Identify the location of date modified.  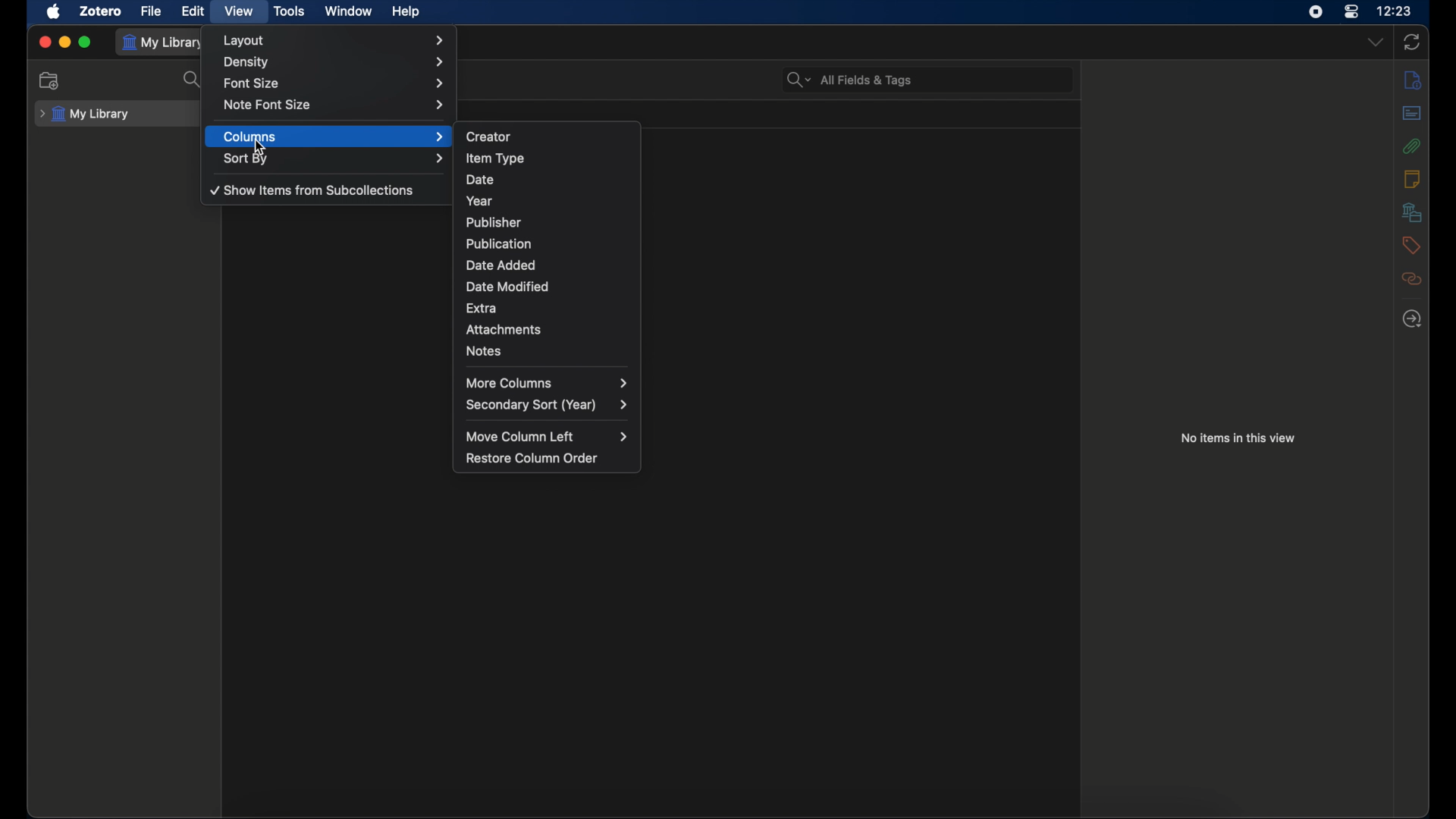
(506, 287).